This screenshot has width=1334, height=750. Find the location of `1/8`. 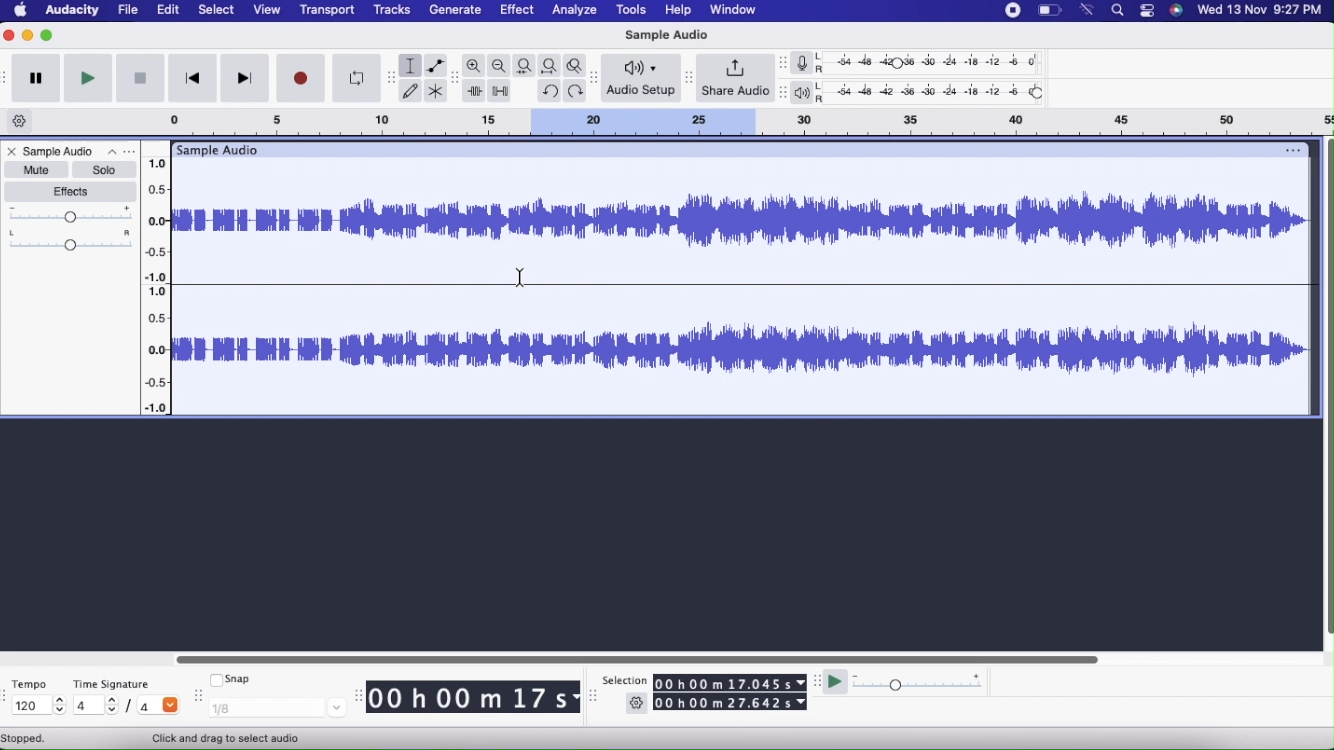

1/8 is located at coordinates (278, 707).